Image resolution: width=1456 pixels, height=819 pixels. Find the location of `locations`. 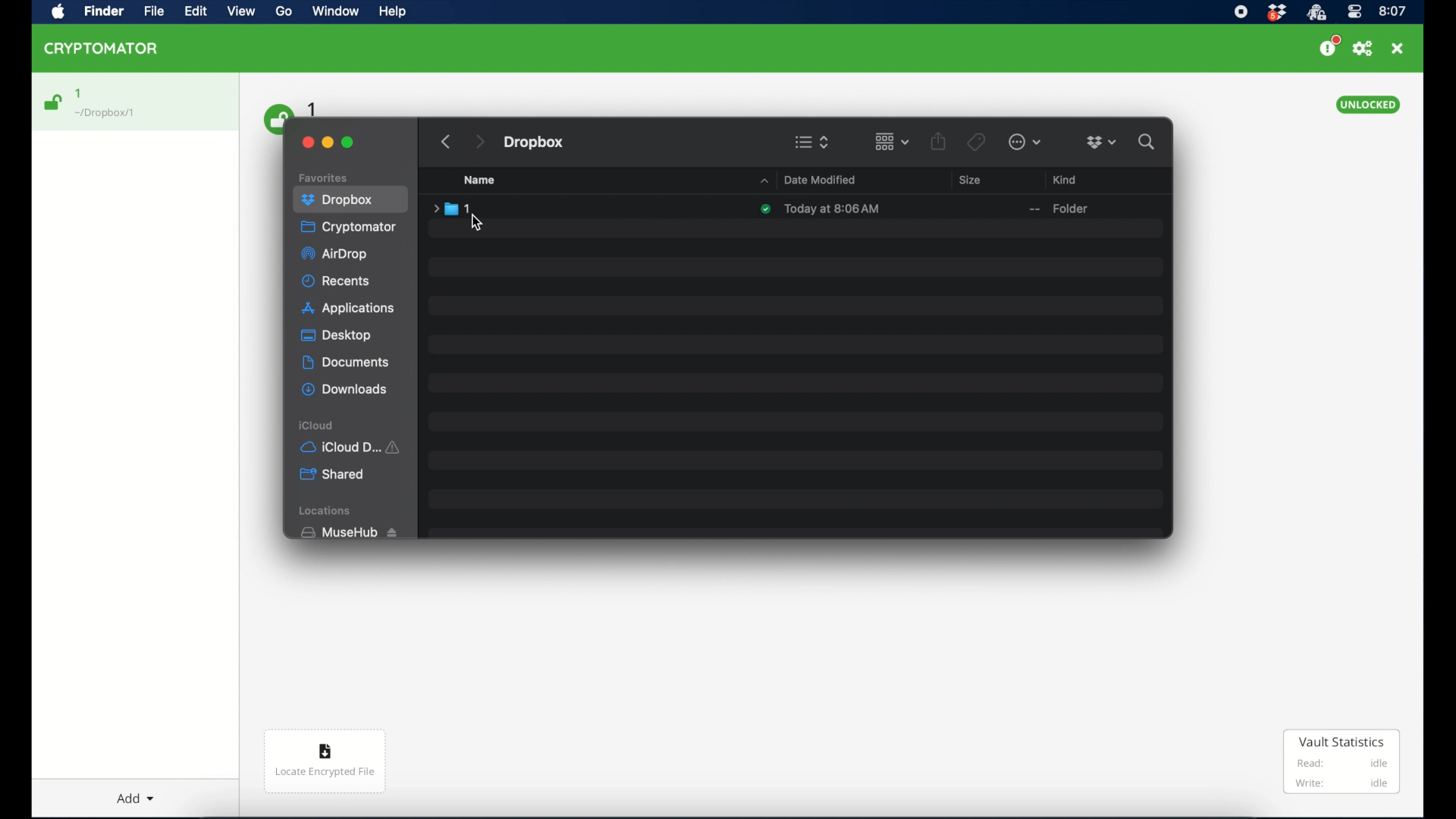

locations is located at coordinates (328, 511).